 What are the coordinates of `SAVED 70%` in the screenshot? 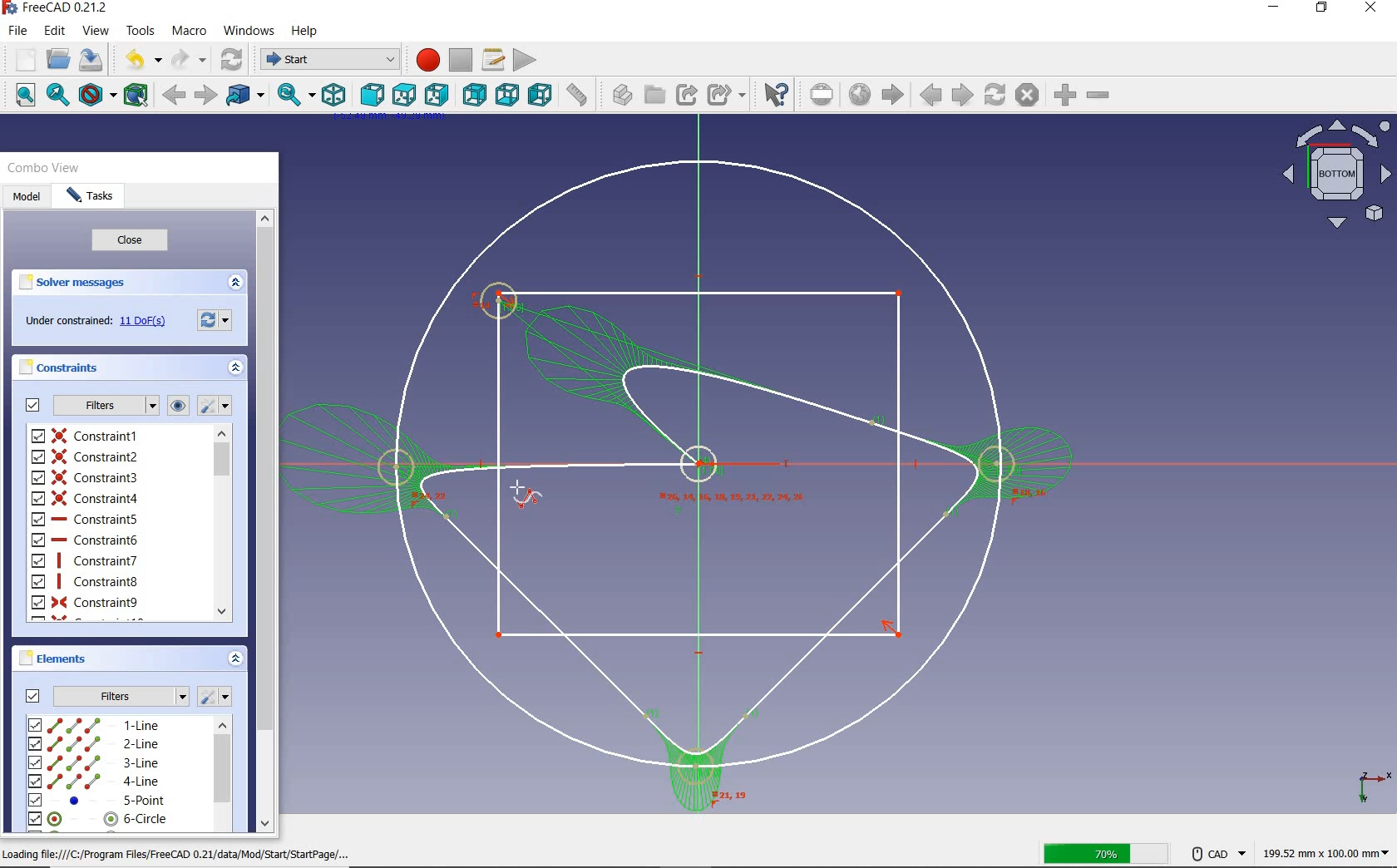 It's located at (1106, 853).